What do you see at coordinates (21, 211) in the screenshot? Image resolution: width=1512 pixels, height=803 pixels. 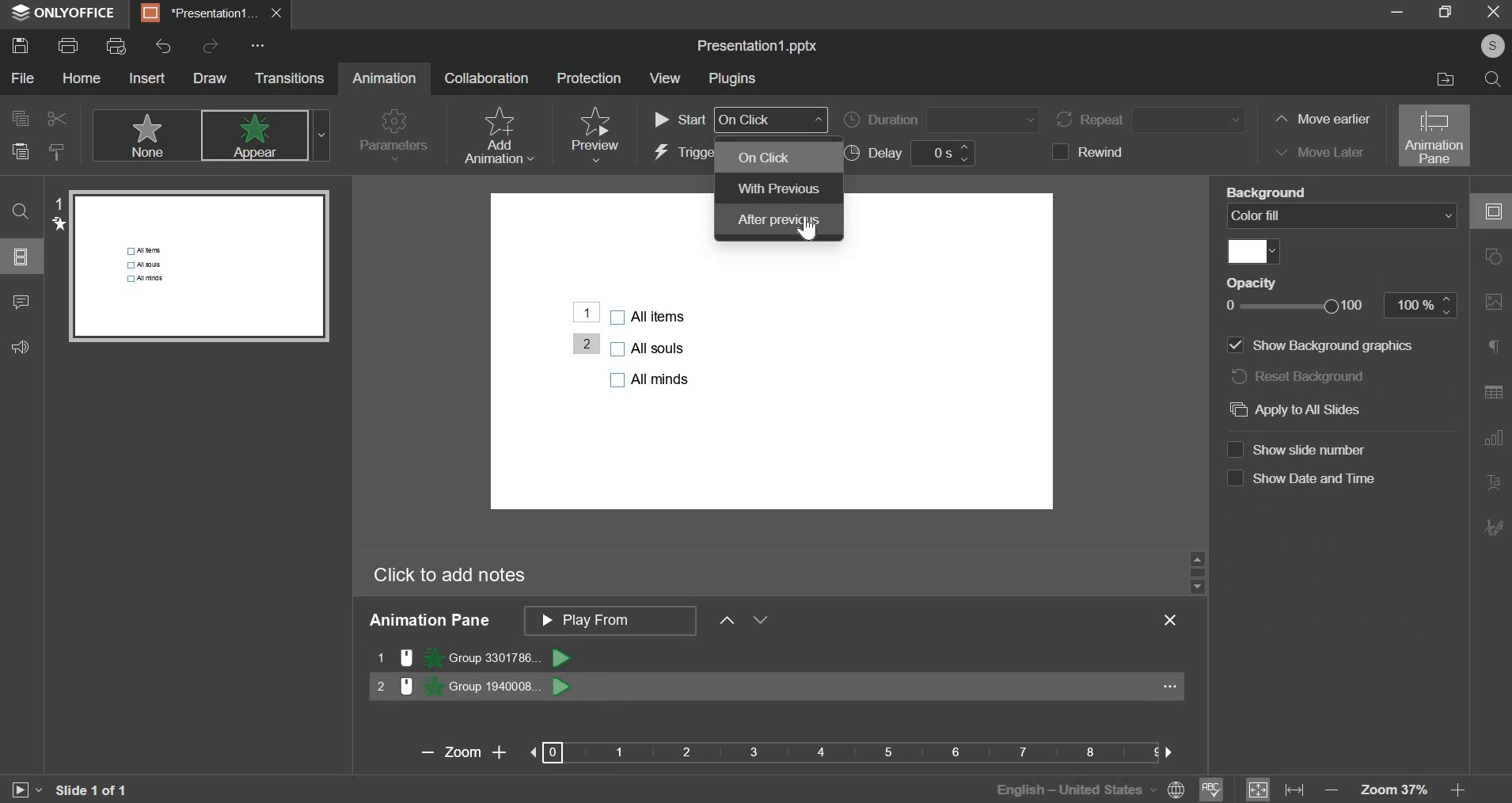 I see `find` at bounding box center [21, 211].